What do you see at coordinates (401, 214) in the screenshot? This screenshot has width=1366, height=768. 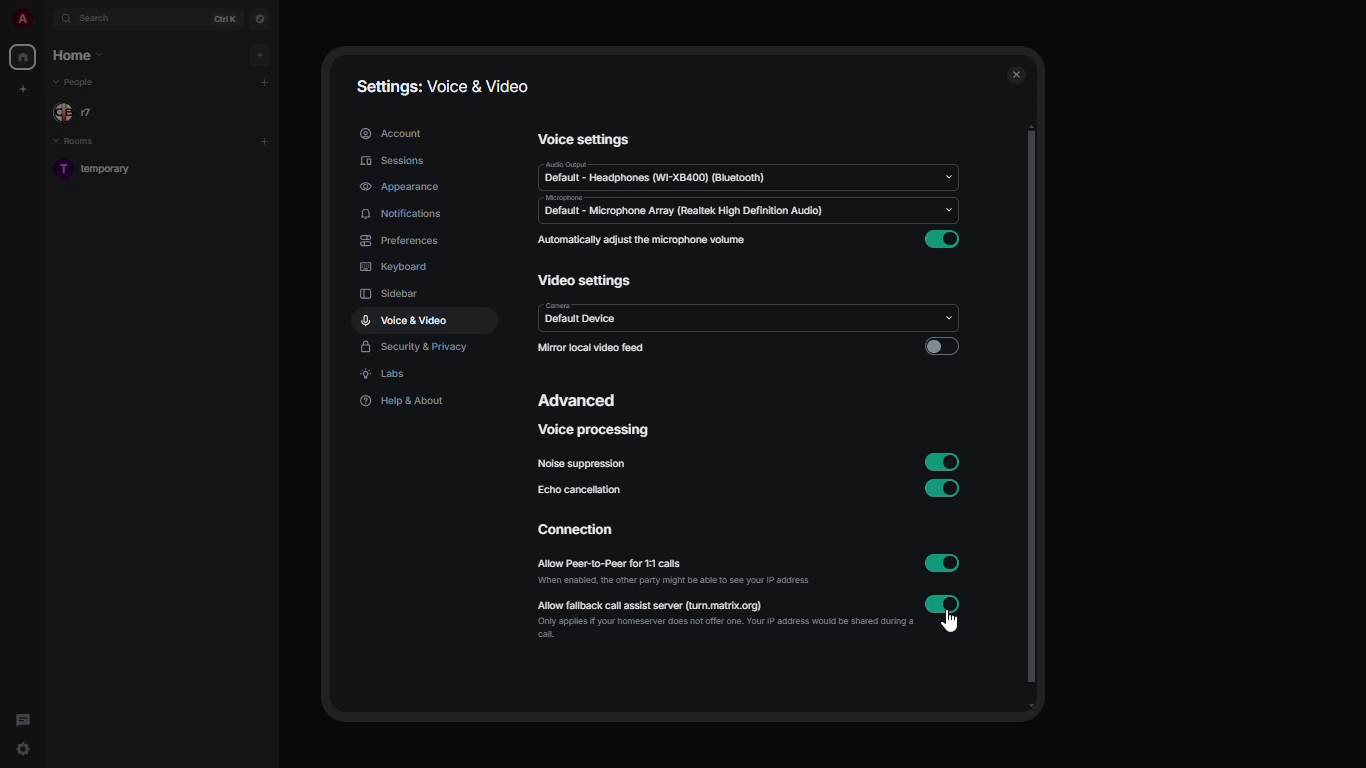 I see `notifications` at bounding box center [401, 214].